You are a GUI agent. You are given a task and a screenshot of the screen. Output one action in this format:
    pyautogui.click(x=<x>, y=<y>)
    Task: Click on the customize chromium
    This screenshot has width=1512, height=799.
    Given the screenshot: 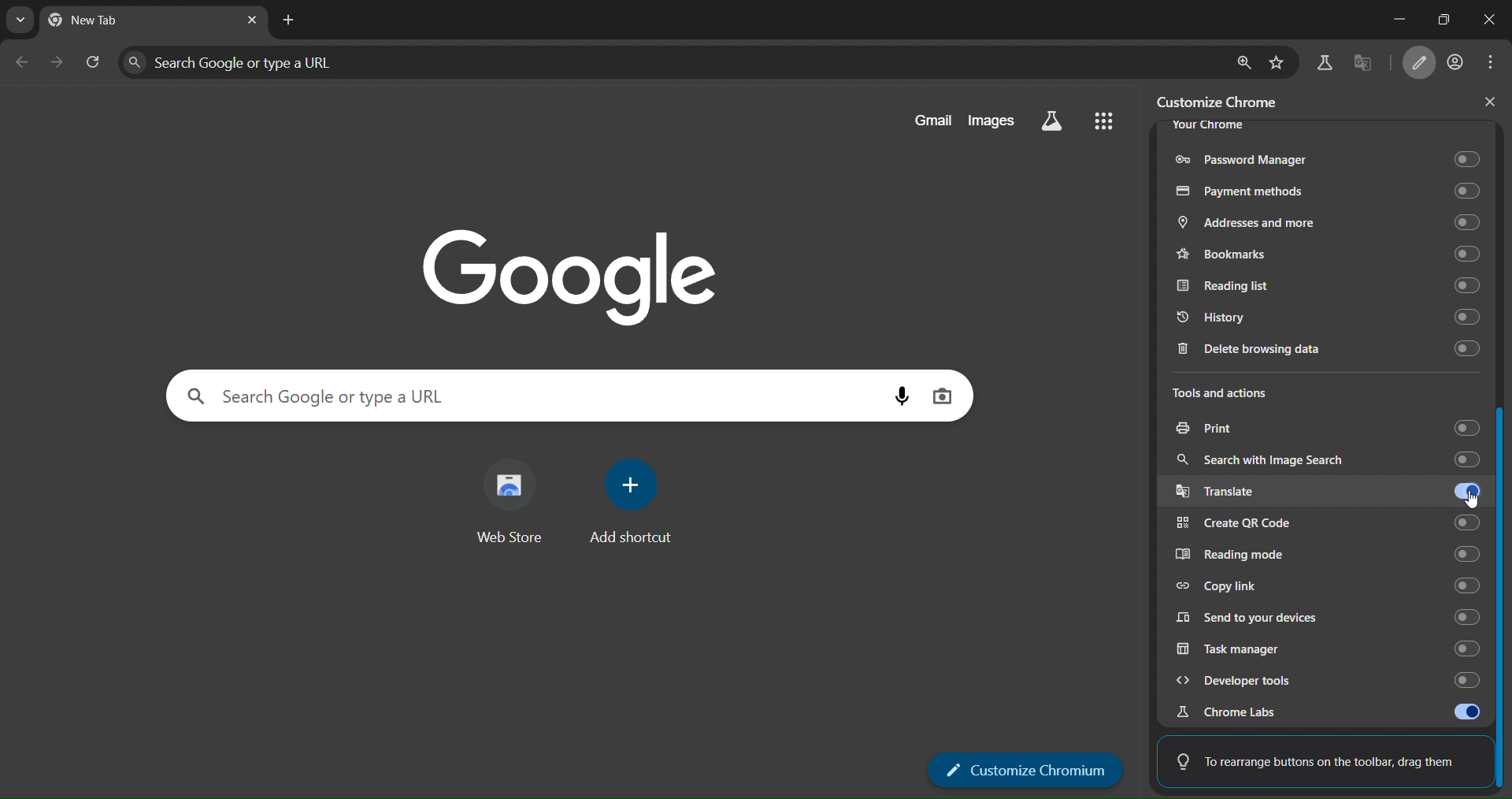 What is the action you would take?
    pyautogui.click(x=1026, y=769)
    